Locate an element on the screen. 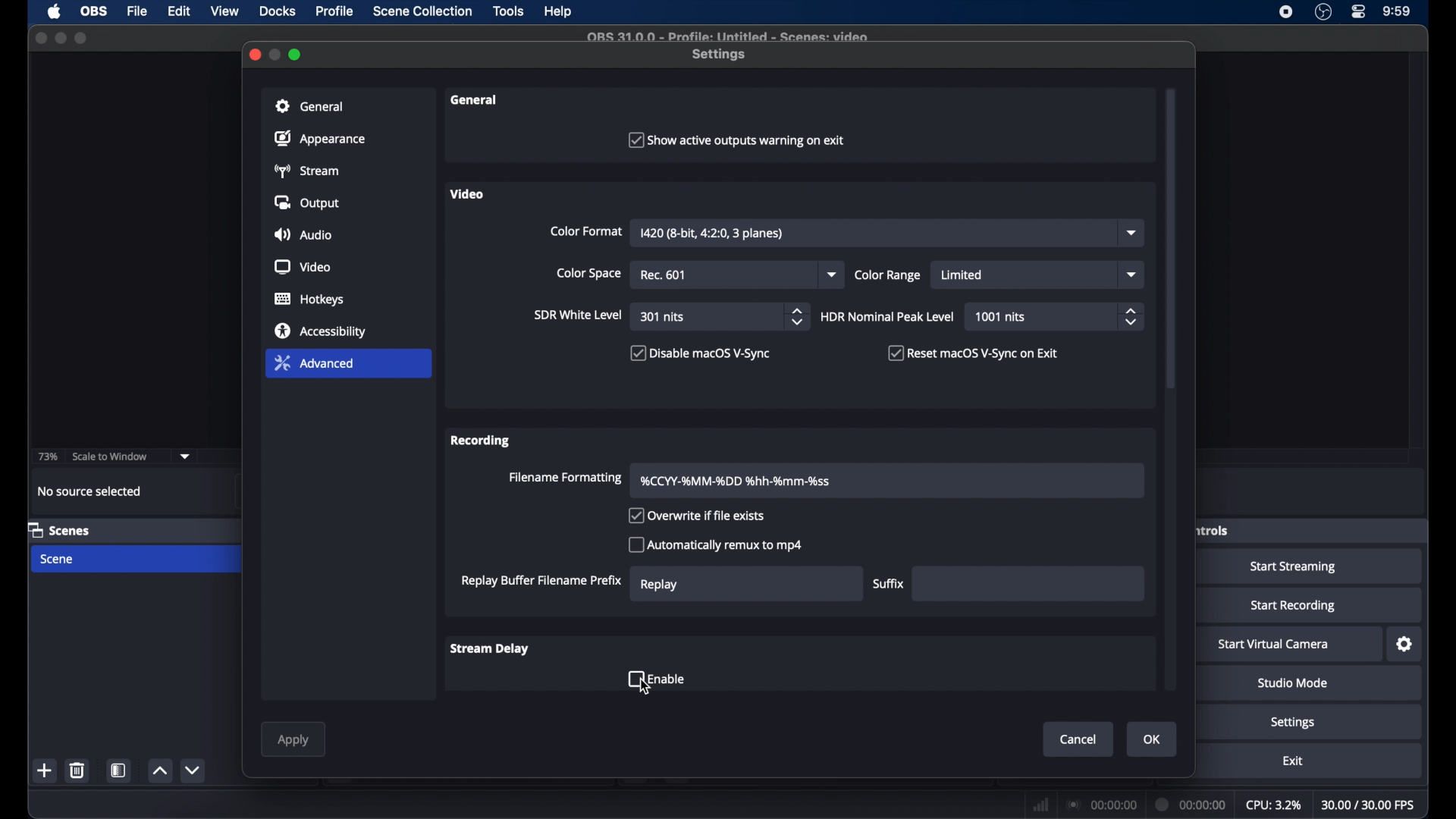 The image size is (1456, 819). time is located at coordinates (1397, 12).